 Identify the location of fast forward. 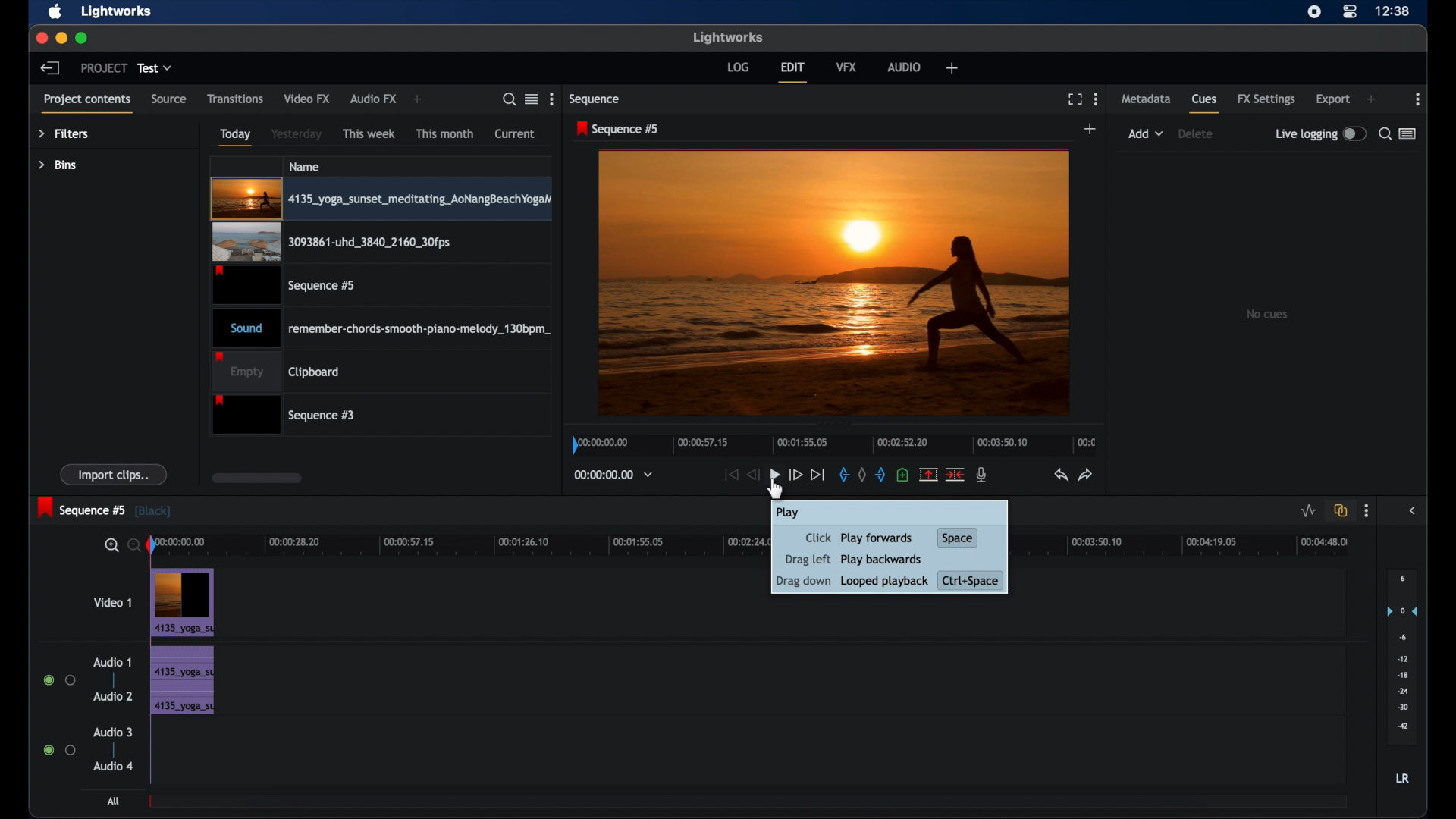
(795, 475).